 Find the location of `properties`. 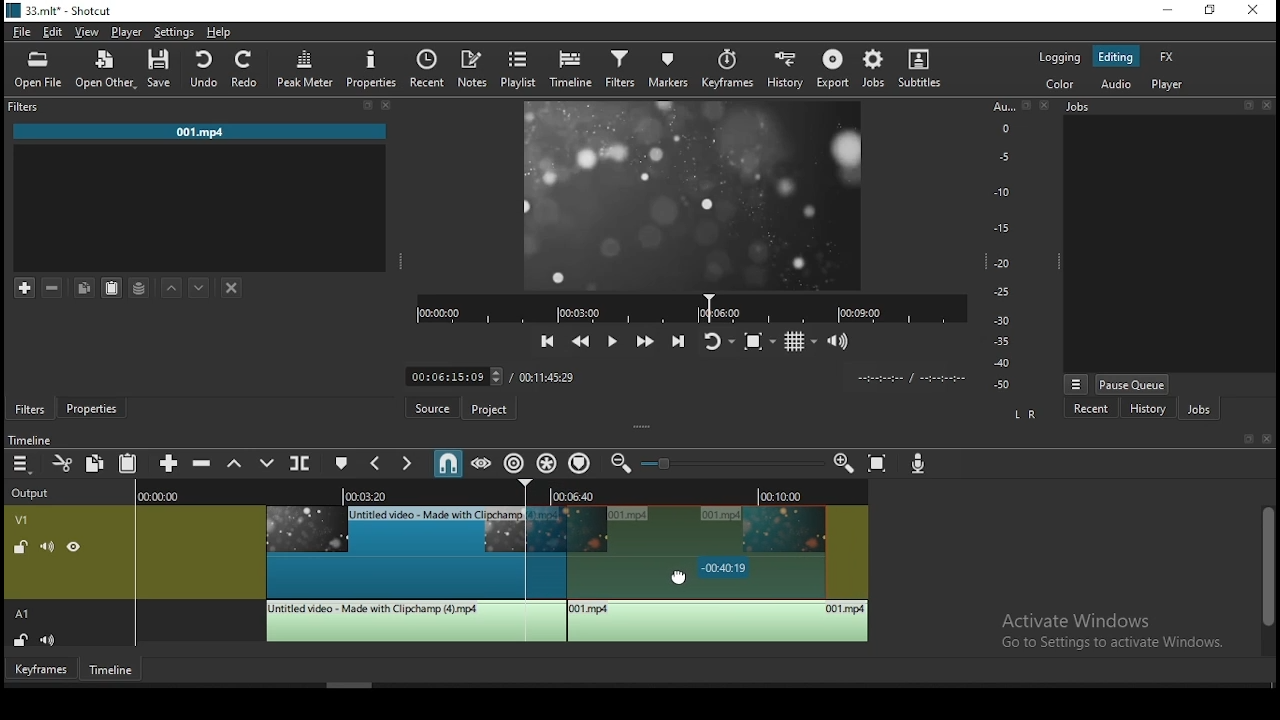

properties is located at coordinates (374, 67).